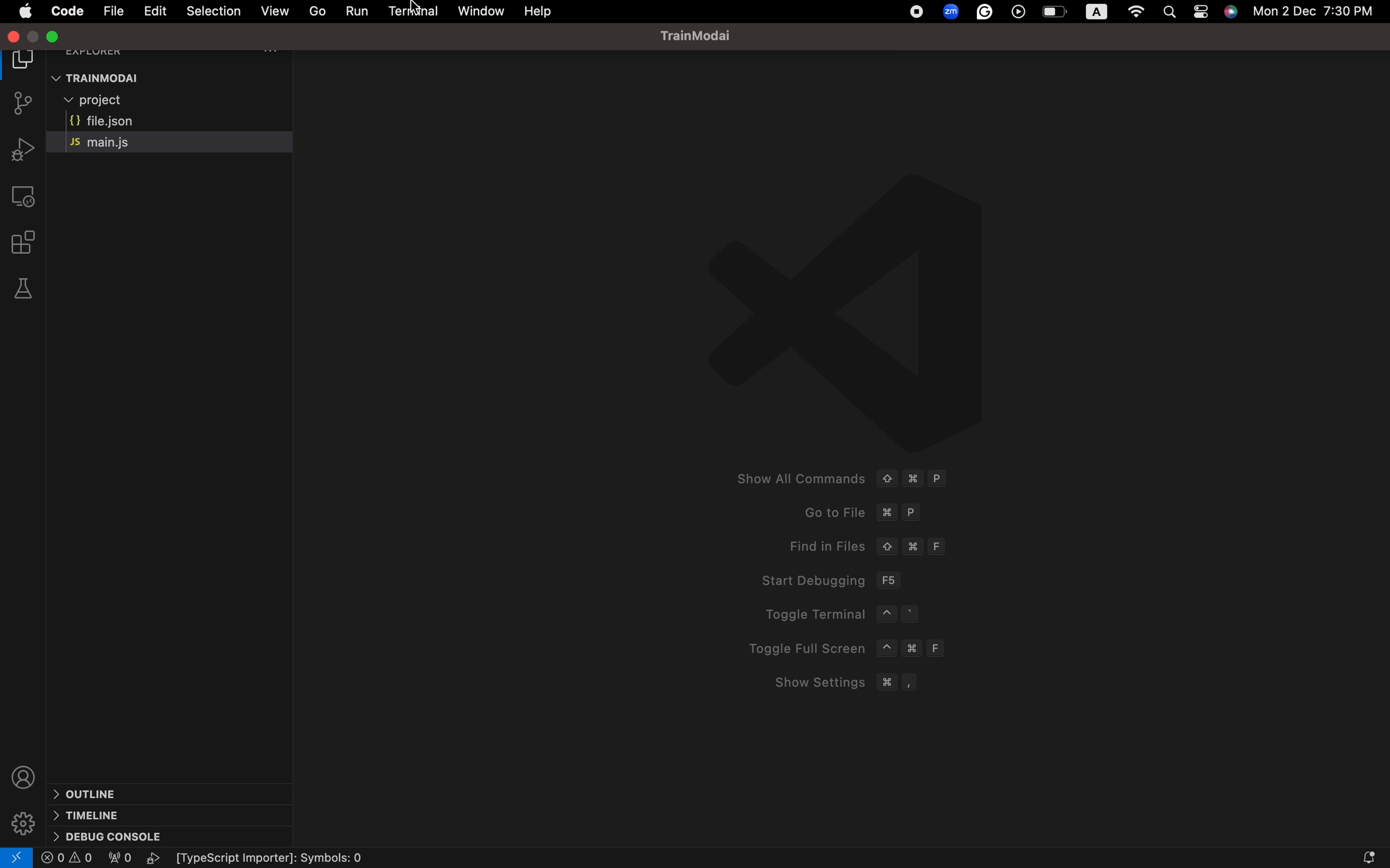 The width and height of the screenshot is (1390, 868). Describe the element at coordinates (1173, 10) in the screenshot. I see `Search` at that location.